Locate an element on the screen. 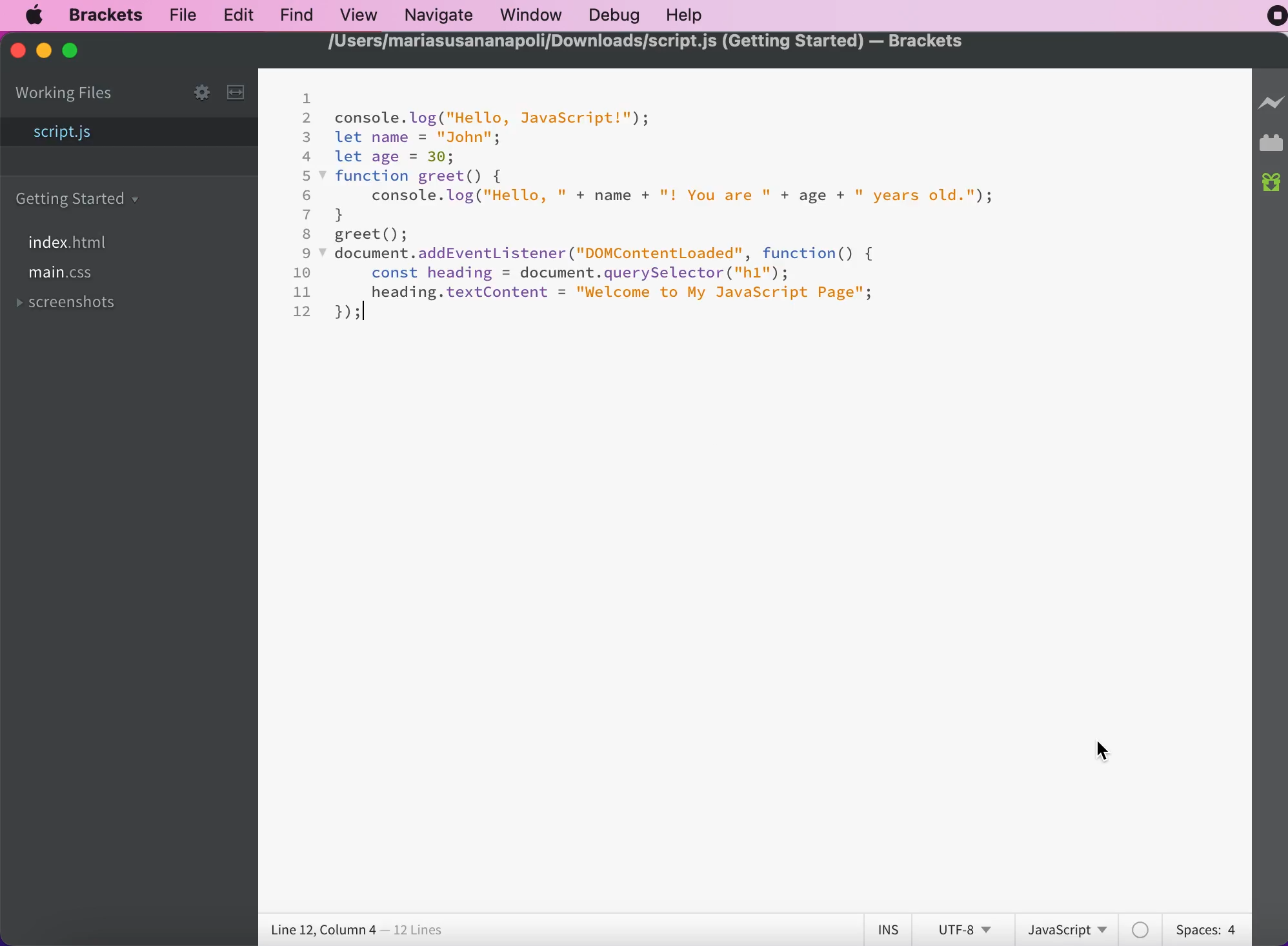 This screenshot has width=1288, height=946. JavaScript is located at coordinates (1071, 928).